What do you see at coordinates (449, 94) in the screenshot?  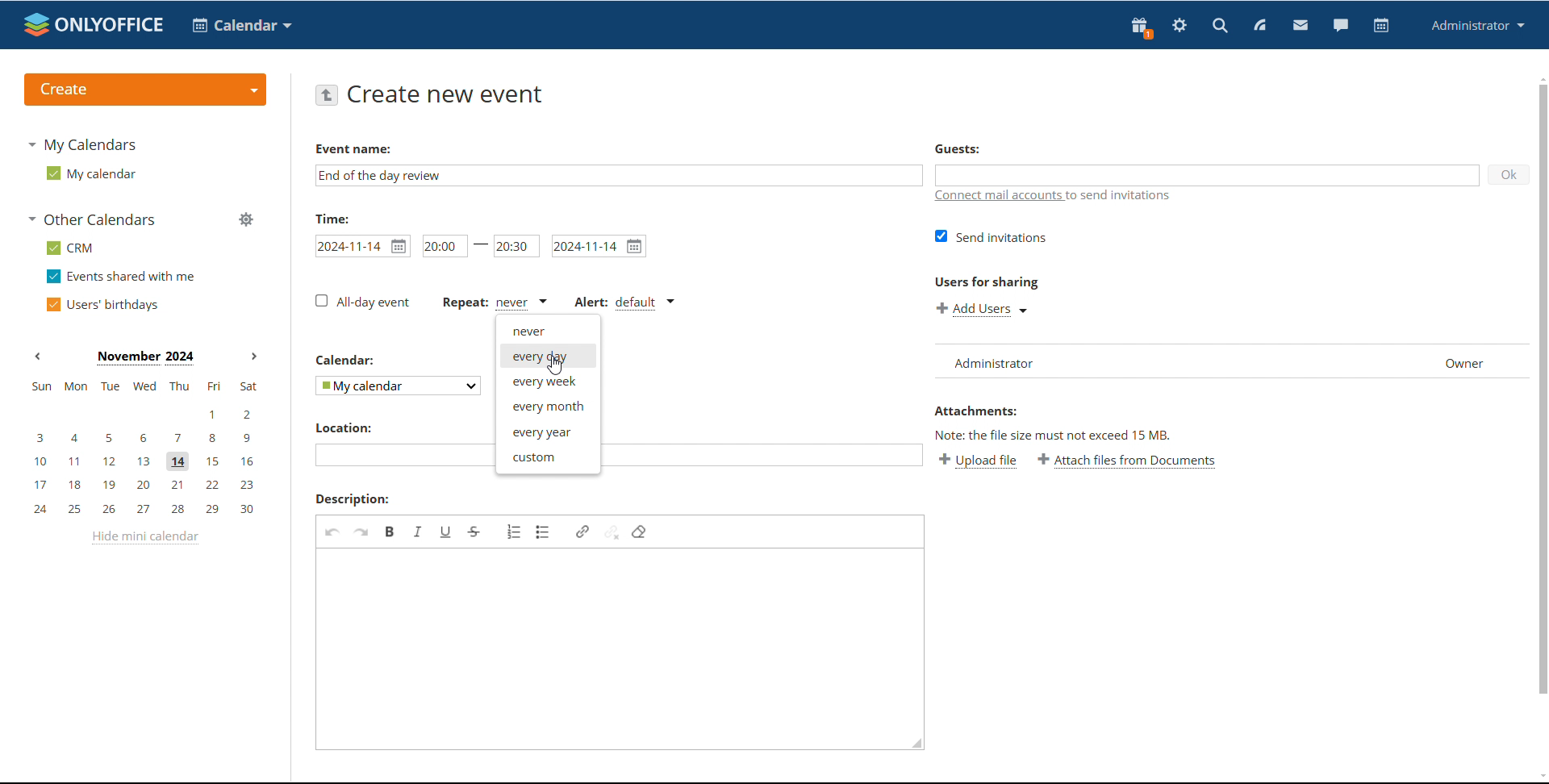 I see `create new event` at bounding box center [449, 94].